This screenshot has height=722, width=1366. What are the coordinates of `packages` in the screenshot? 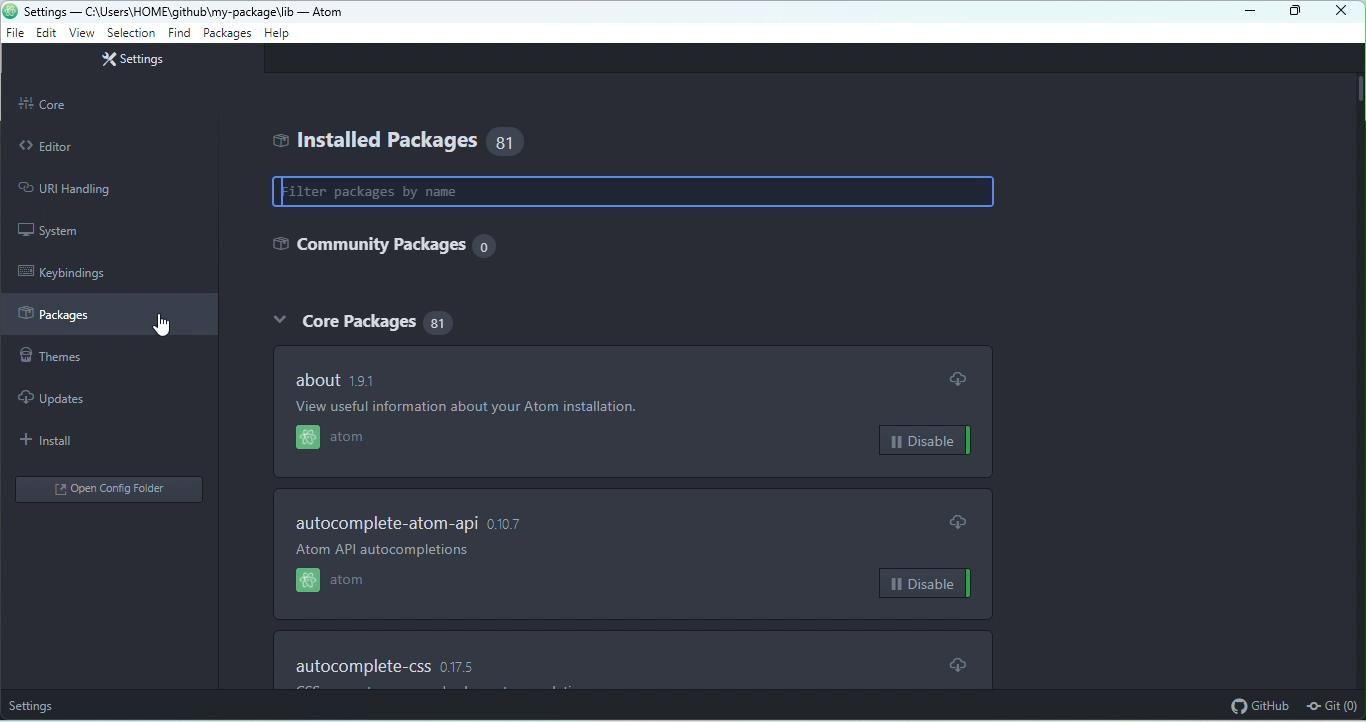 It's located at (109, 316).